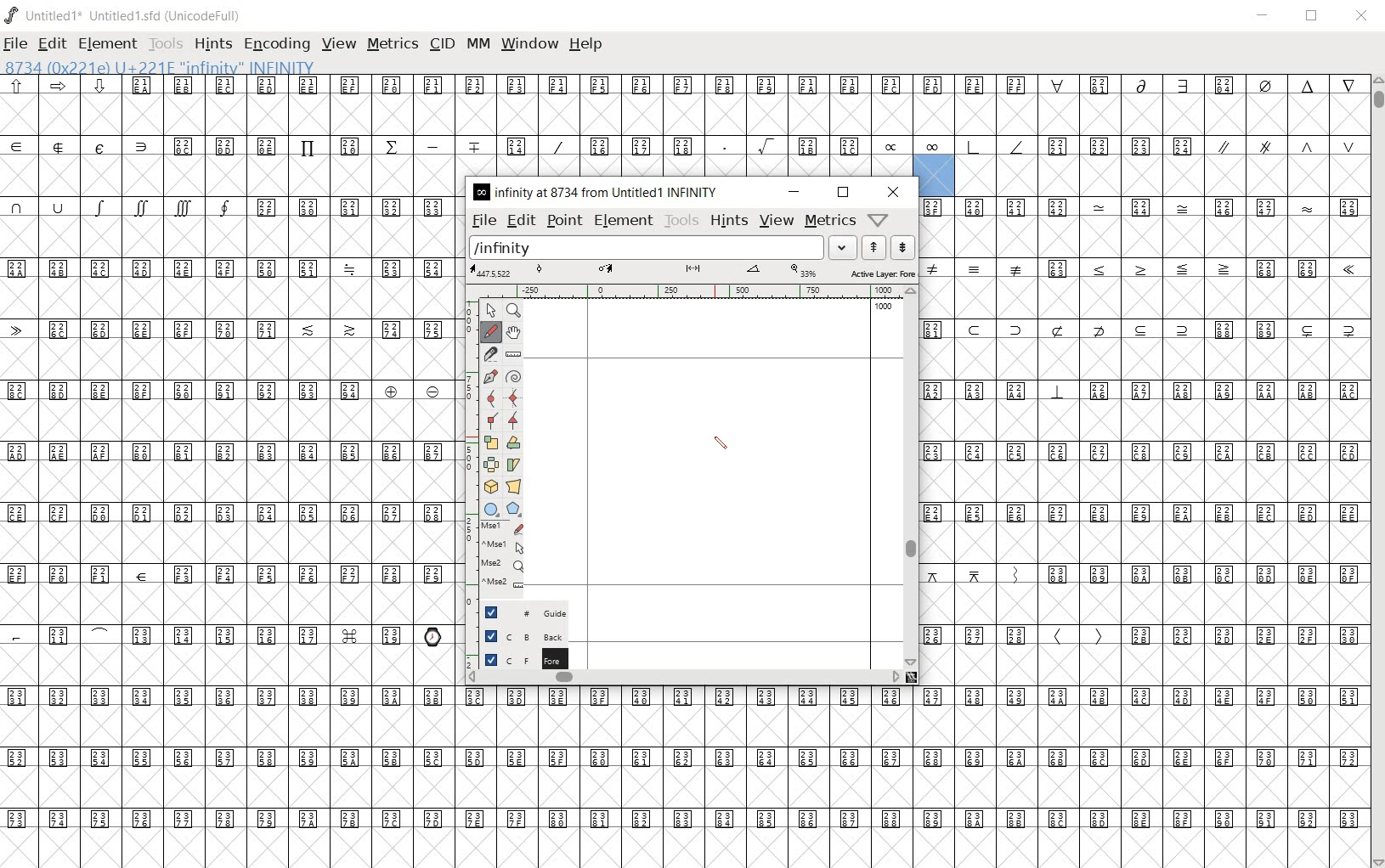 Image resolution: width=1385 pixels, height=868 pixels. What do you see at coordinates (489, 311) in the screenshot?
I see `POINTER` at bounding box center [489, 311].